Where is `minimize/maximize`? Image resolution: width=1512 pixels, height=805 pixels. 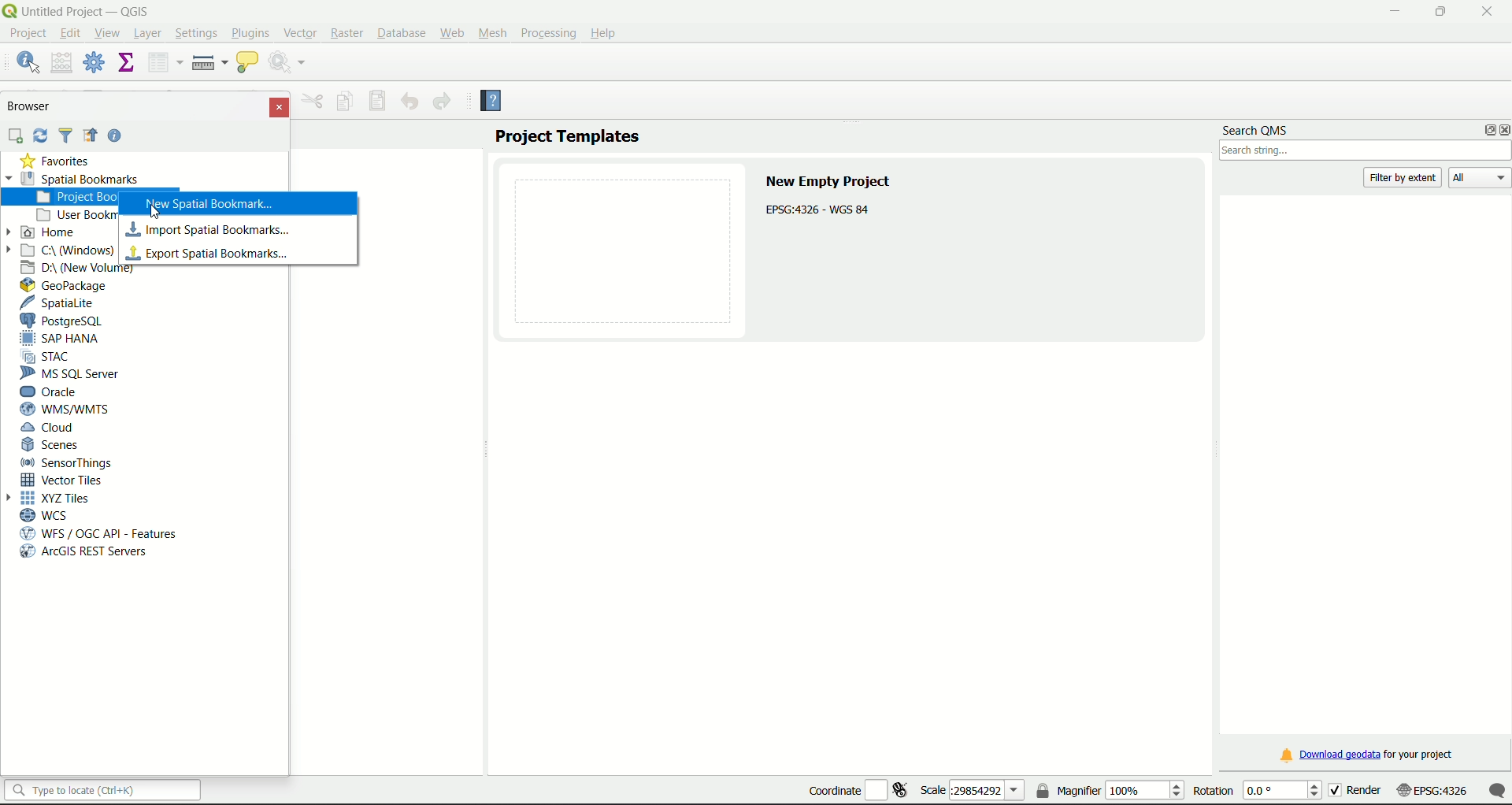 minimize/maximize is located at coordinates (1440, 12).